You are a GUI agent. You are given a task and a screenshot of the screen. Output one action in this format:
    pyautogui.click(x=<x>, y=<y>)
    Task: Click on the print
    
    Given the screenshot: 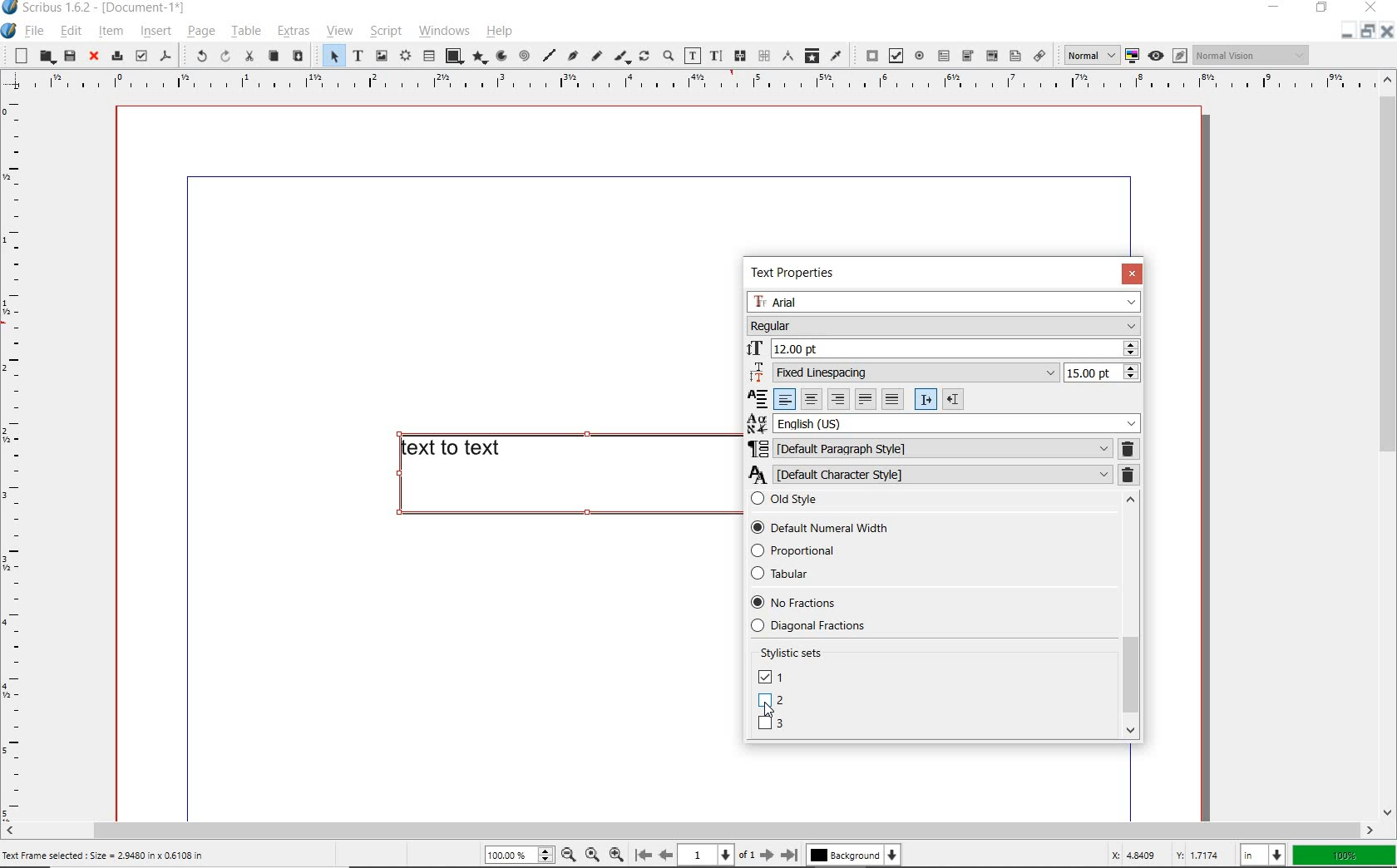 What is the action you would take?
    pyautogui.click(x=116, y=55)
    